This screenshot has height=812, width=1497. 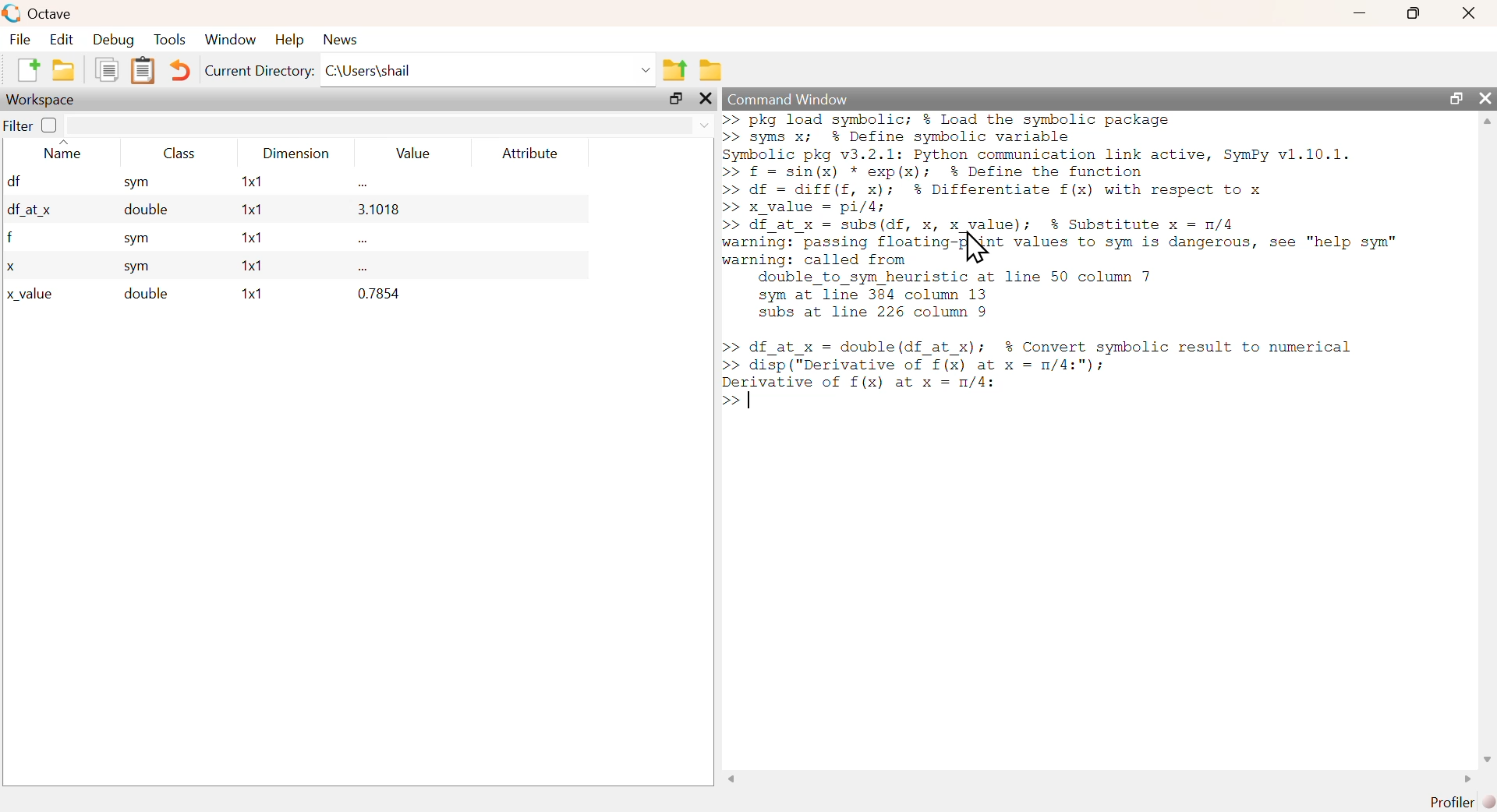 What do you see at coordinates (391, 125) in the screenshot?
I see `search area` at bounding box center [391, 125].